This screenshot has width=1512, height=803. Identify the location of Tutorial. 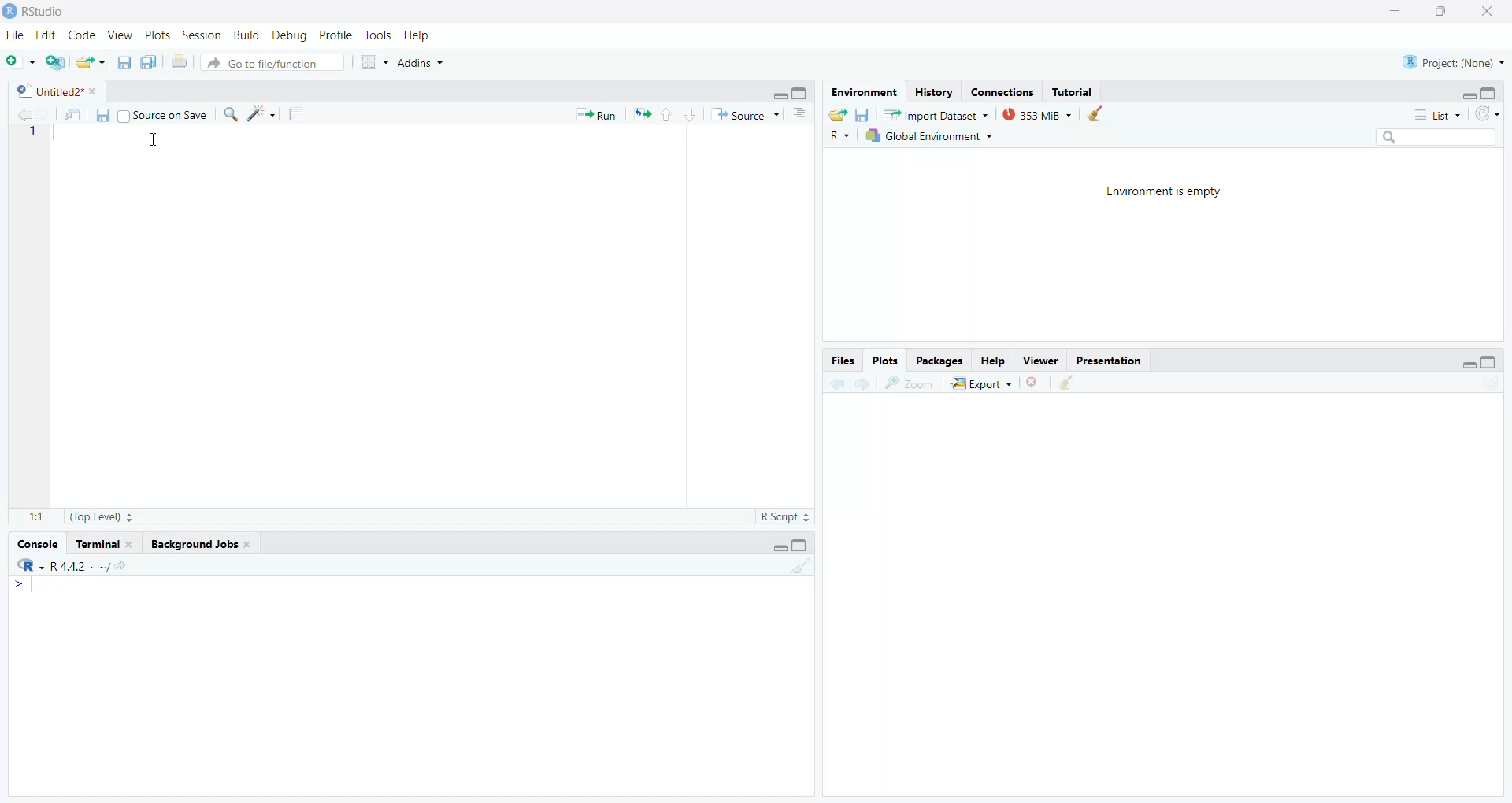
(1071, 91).